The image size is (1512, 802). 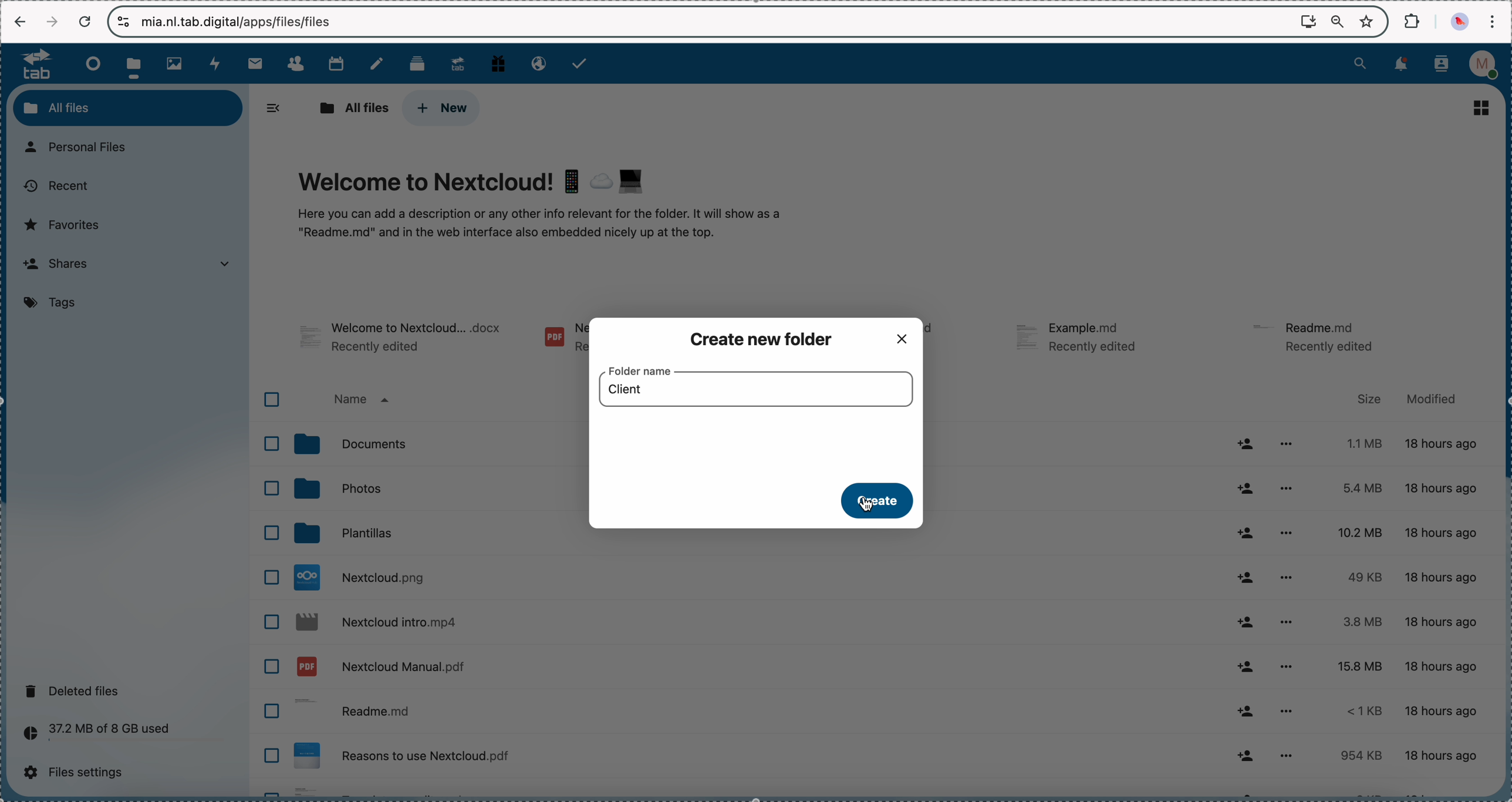 I want to click on share, so click(x=1247, y=579).